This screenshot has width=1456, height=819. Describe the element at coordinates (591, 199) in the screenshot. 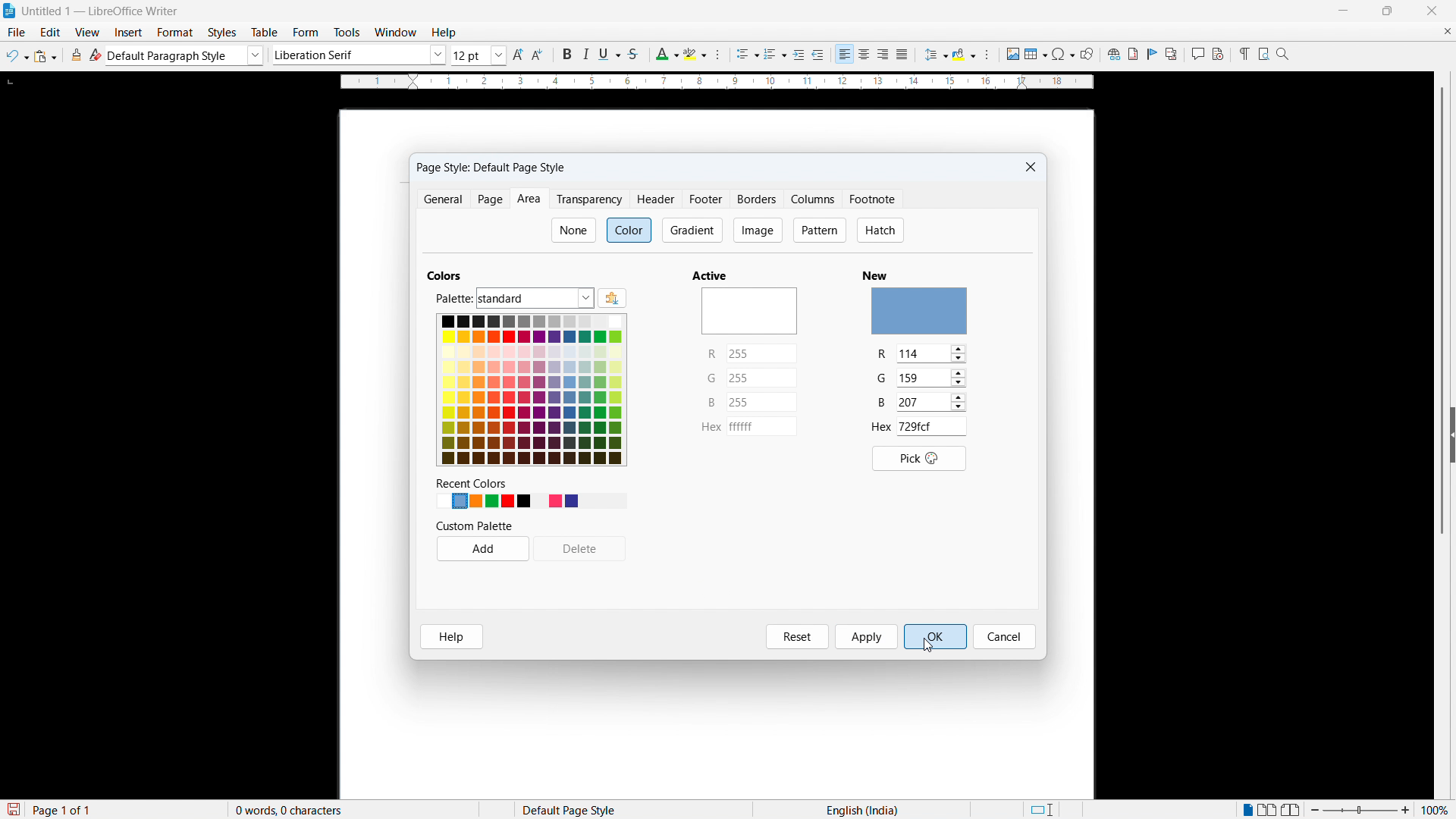

I see `Transparency ` at that location.